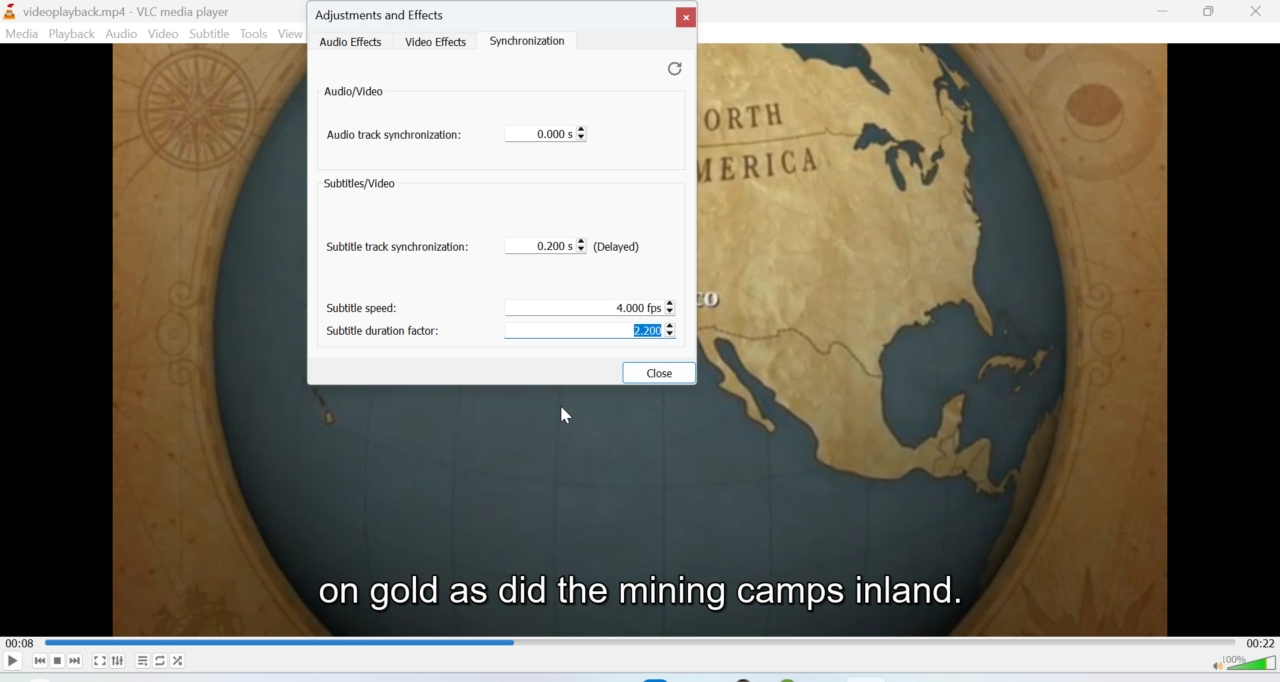 The image size is (1280, 682). What do you see at coordinates (141, 661) in the screenshot?
I see `Playlist` at bounding box center [141, 661].